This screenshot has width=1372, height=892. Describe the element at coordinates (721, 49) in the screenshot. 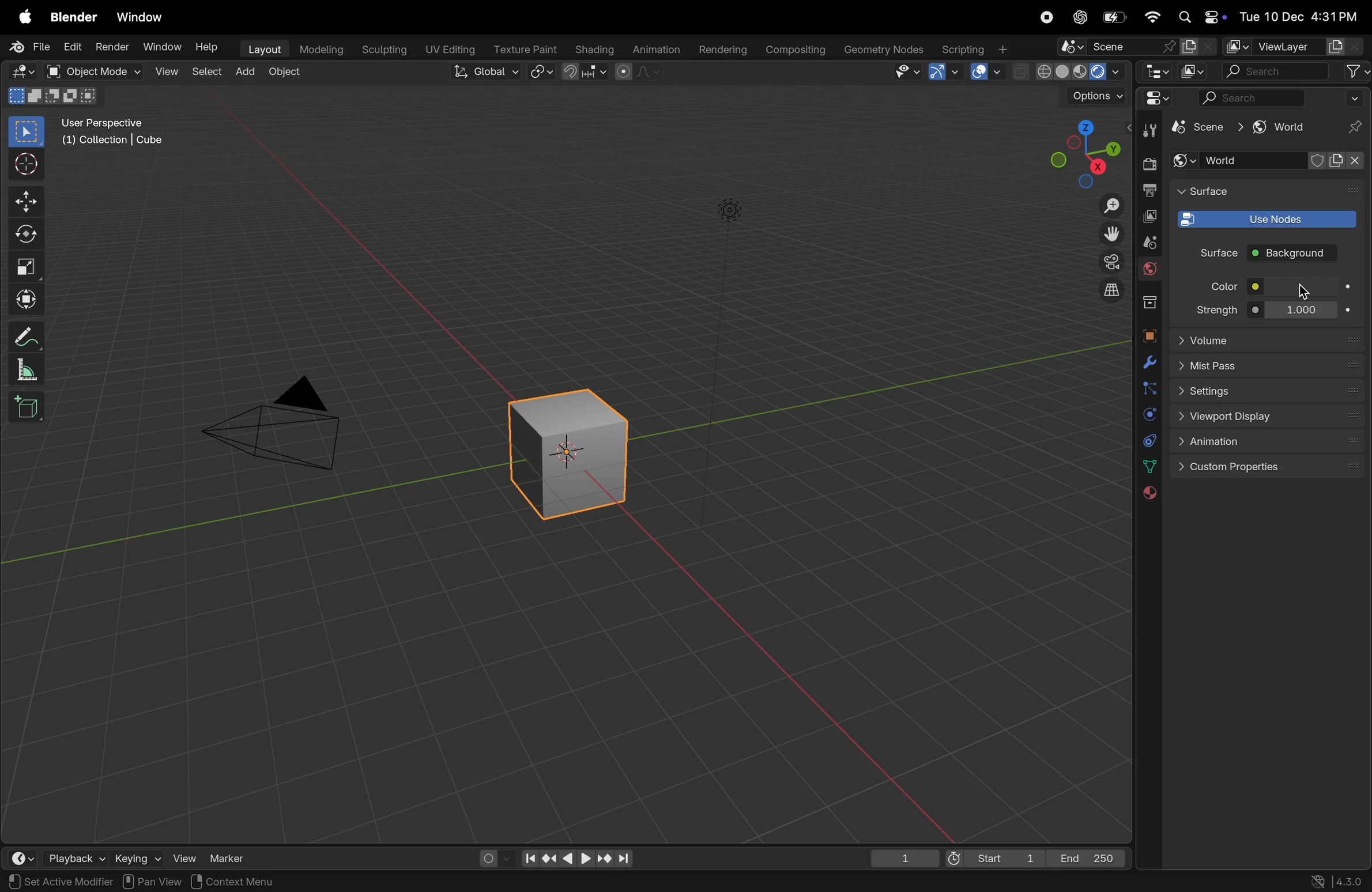

I see `Rendering` at that location.